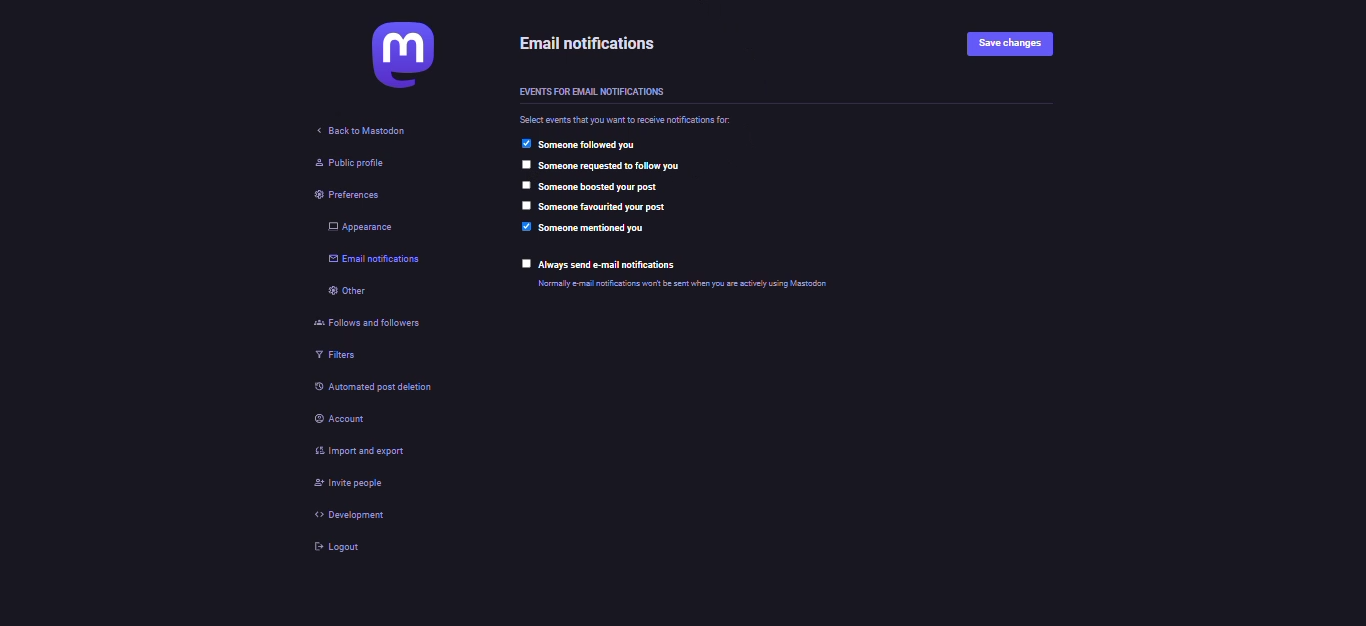  What do you see at coordinates (524, 143) in the screenshot?
I see `enabled` at bounding box center [524, 143].